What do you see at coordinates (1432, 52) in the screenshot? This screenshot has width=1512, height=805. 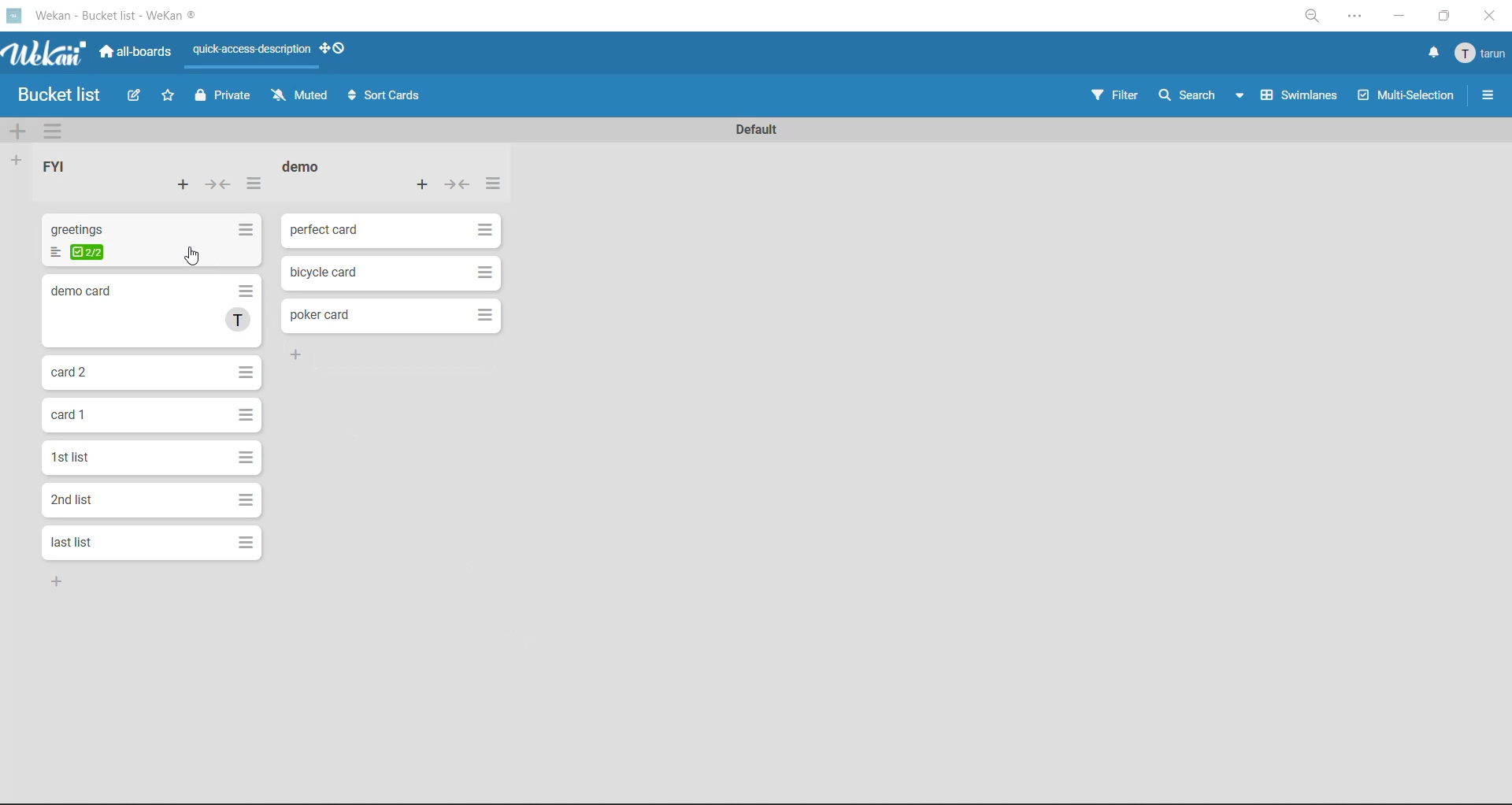 I see `notifications` at bounding box center [1432, 52].